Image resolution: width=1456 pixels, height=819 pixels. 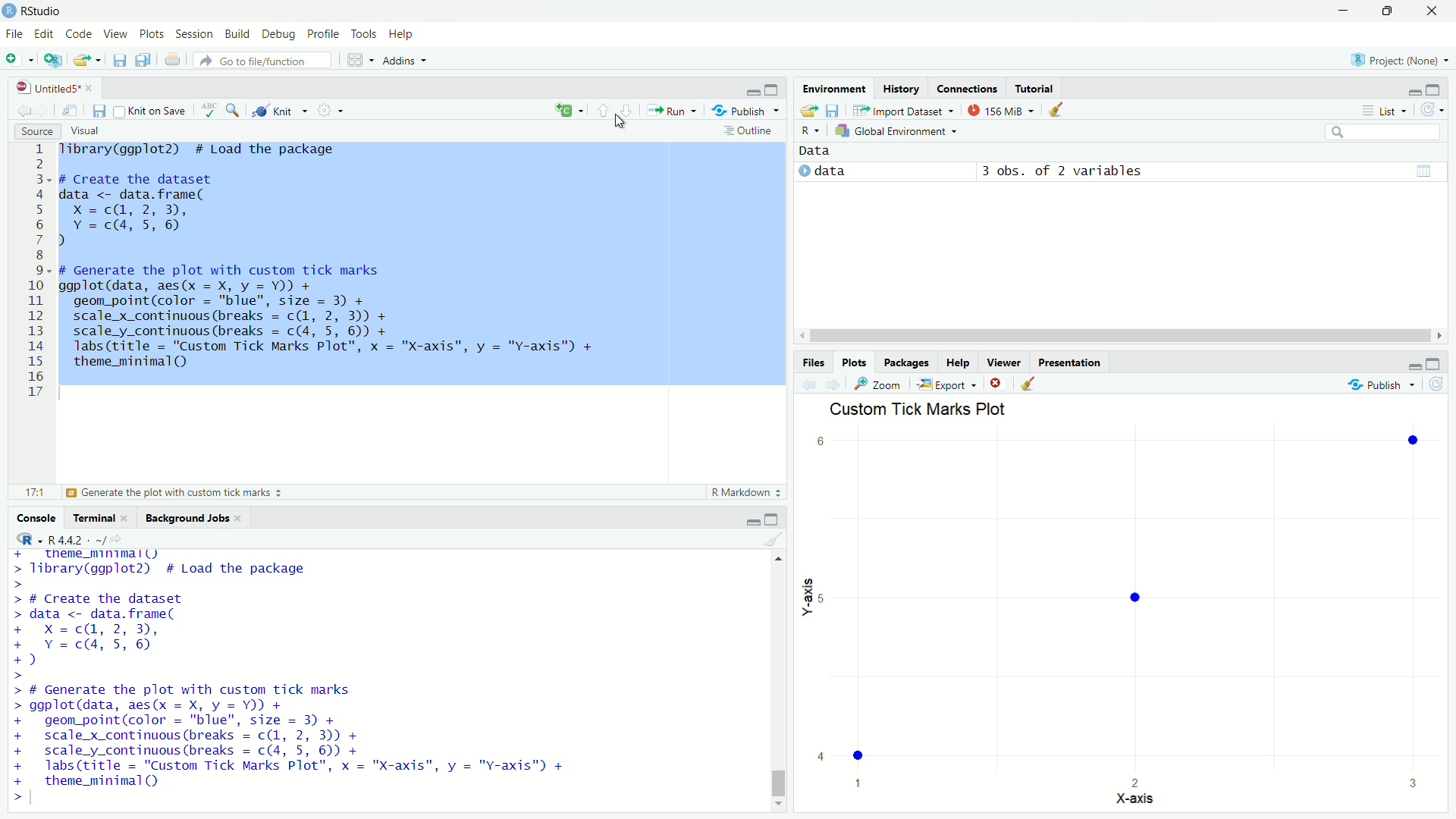 What do you see at coordinates (802, 174) in the screenshot?
I see `play` at bounding box center [802, 174].